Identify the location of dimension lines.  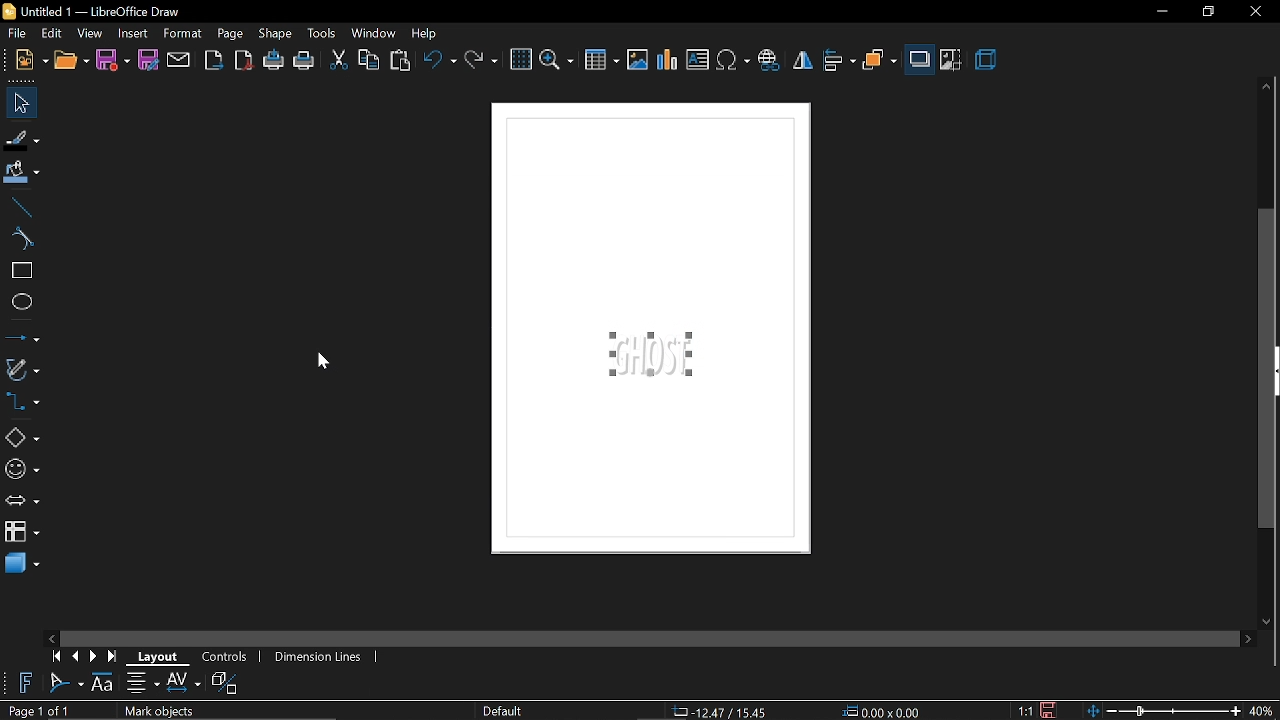
(320, 656).